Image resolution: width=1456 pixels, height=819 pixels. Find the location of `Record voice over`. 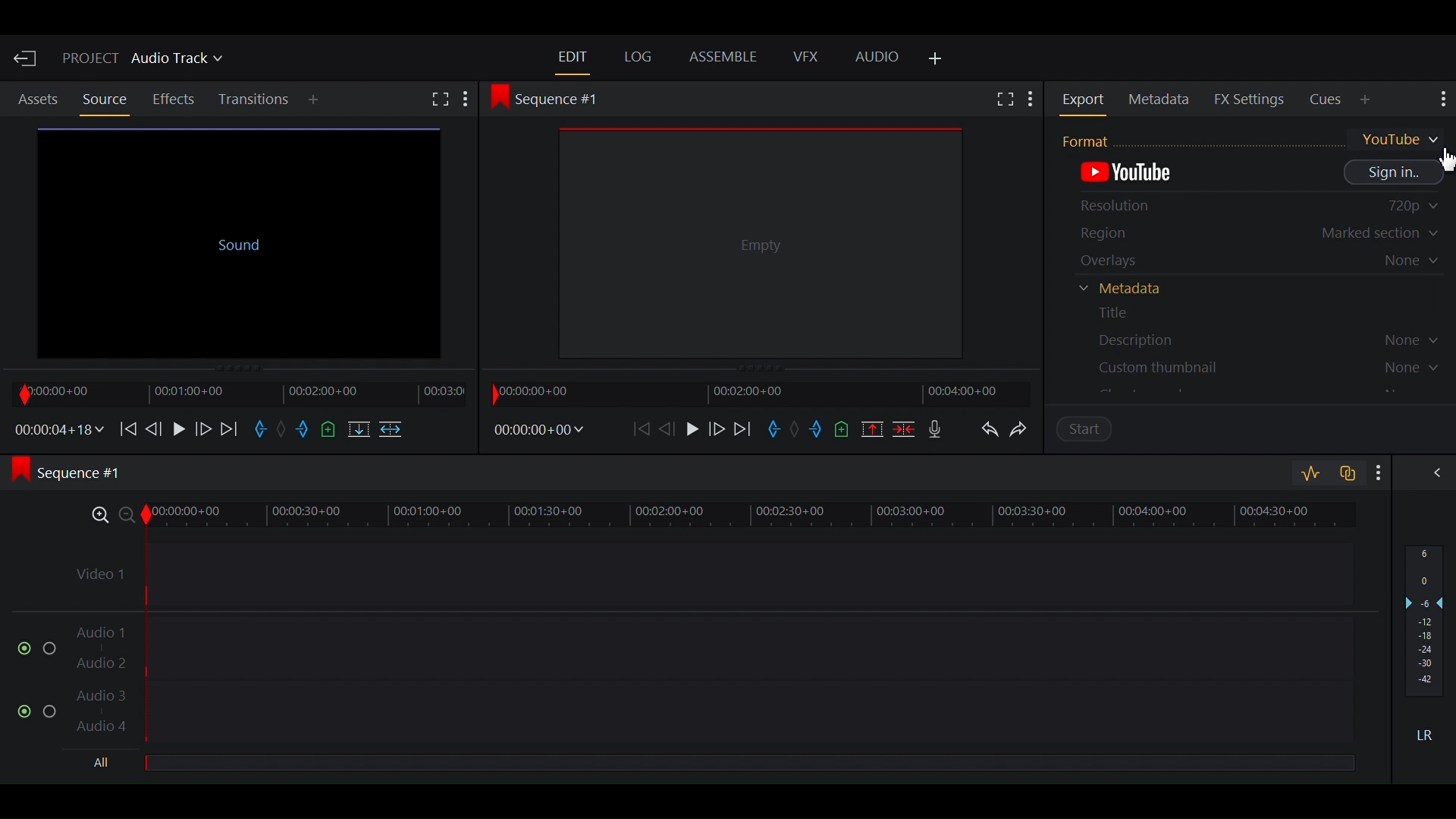

Record voice over is located at coordinates (935, 428).